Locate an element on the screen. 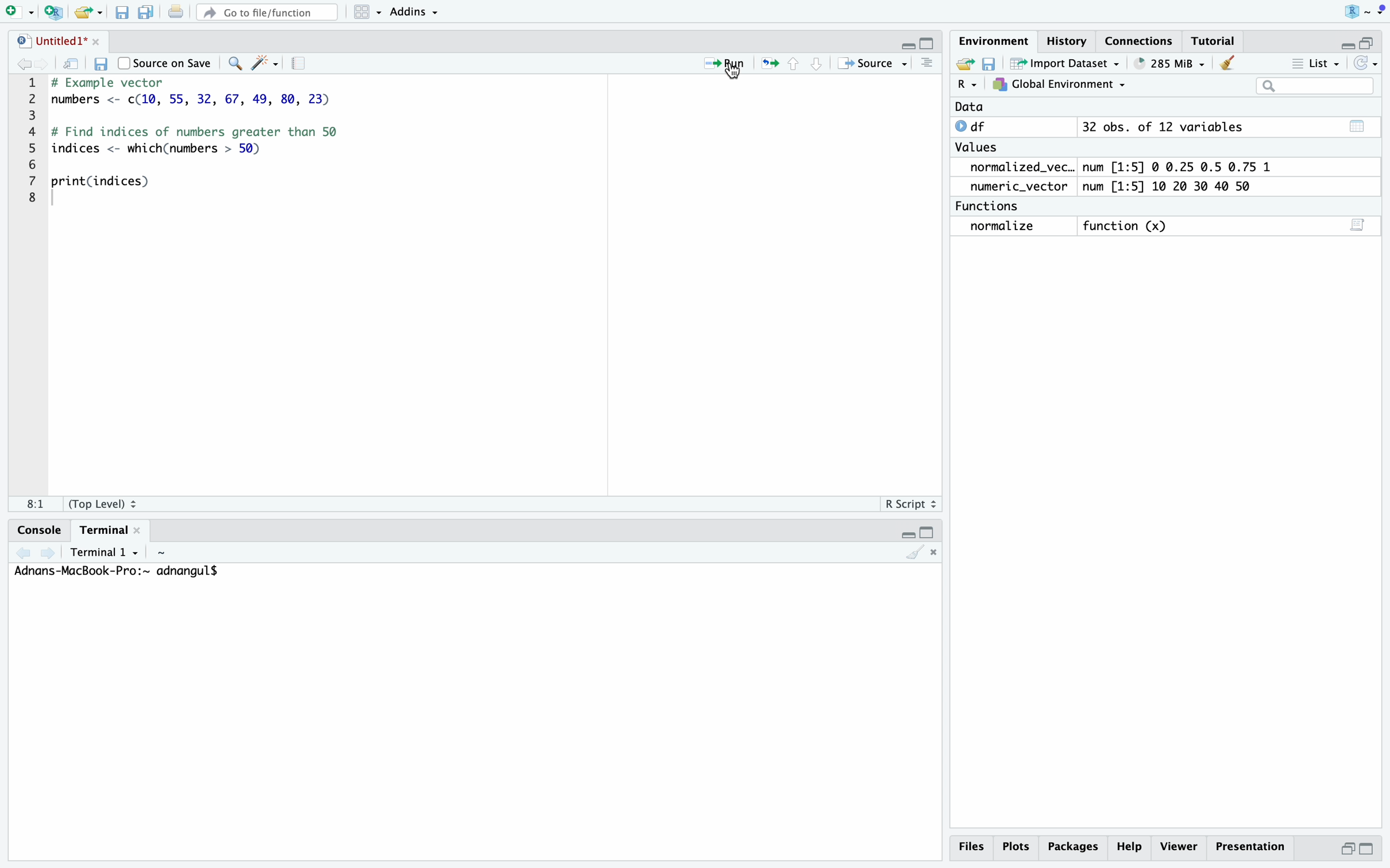 The width and height of the screenshot is (1390, 868). MENU is located at coordinates (1381, 12).